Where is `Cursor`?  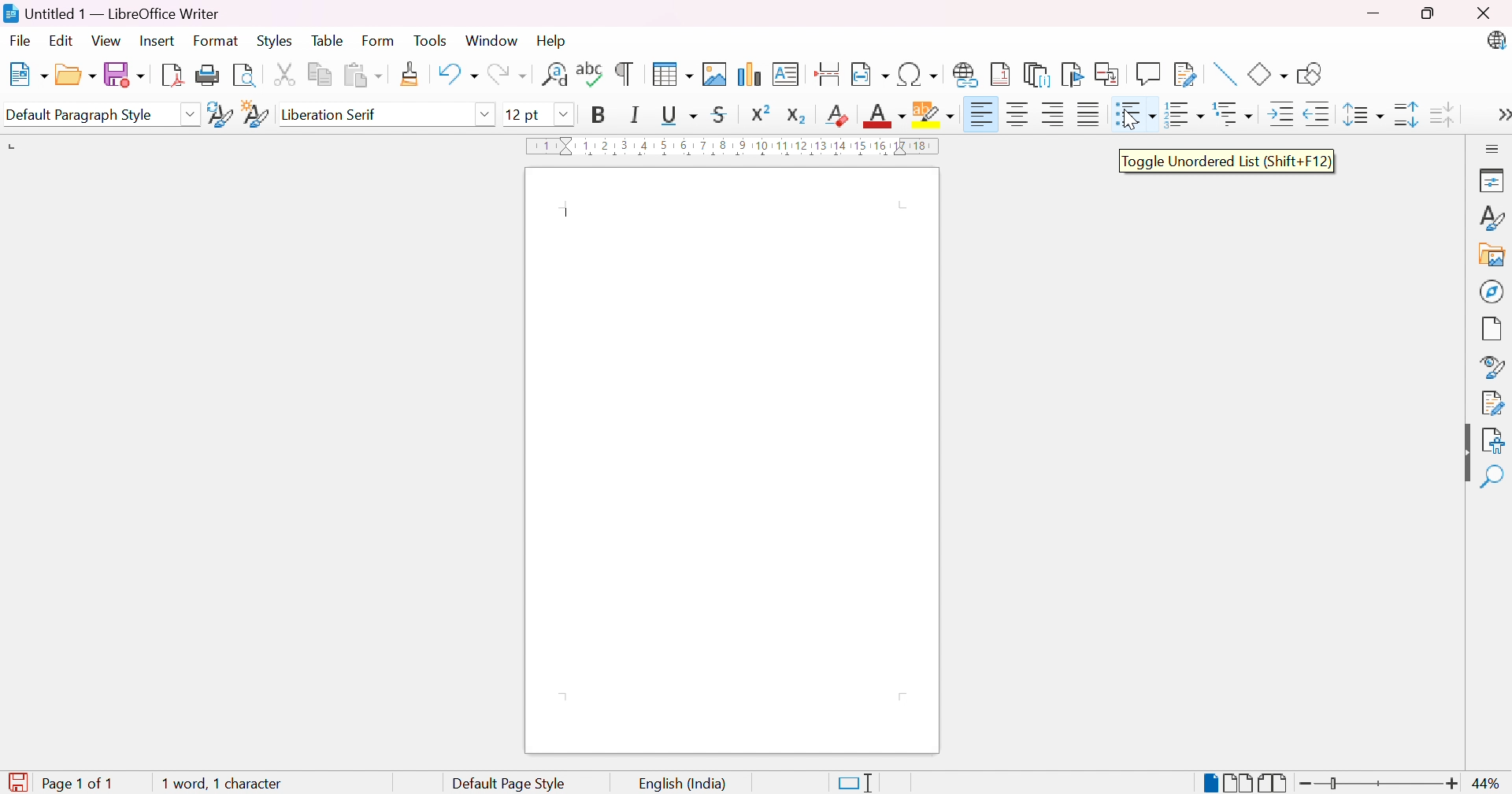 Cursor is located at coordinates (1130, 120).